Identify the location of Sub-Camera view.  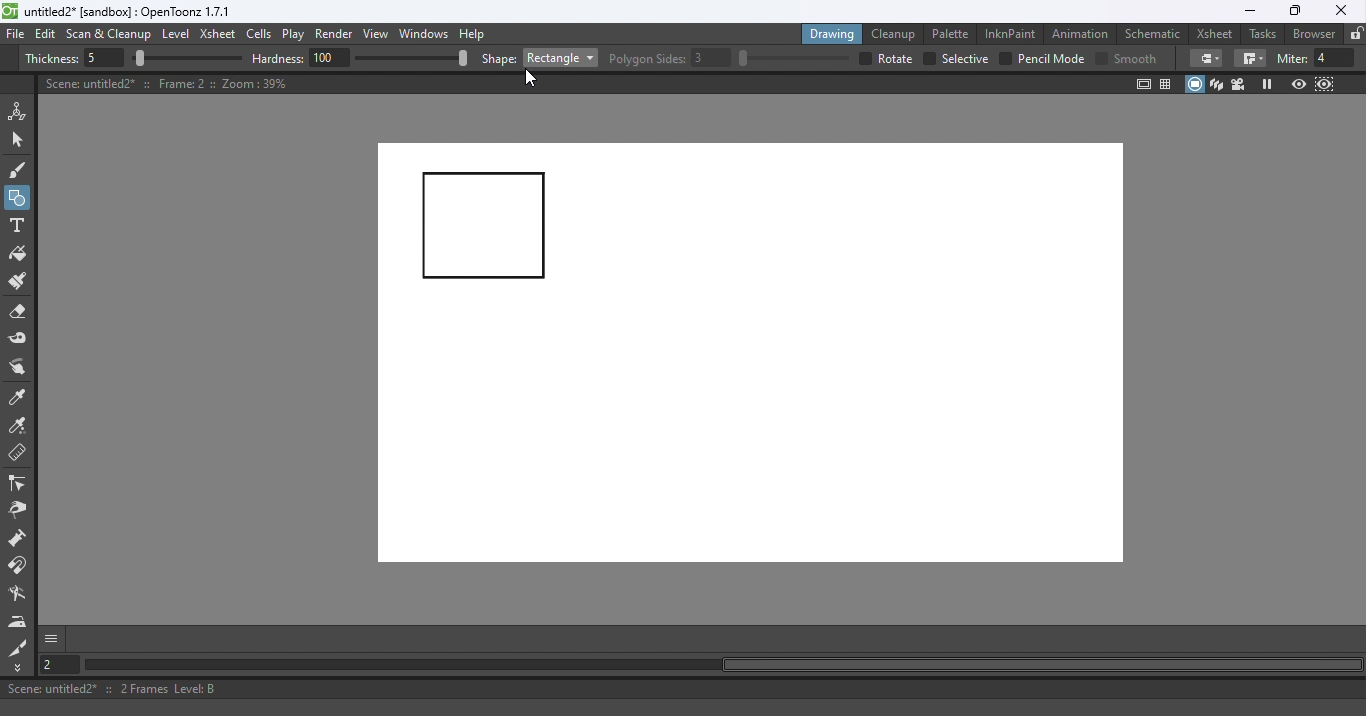
(1326, 84).